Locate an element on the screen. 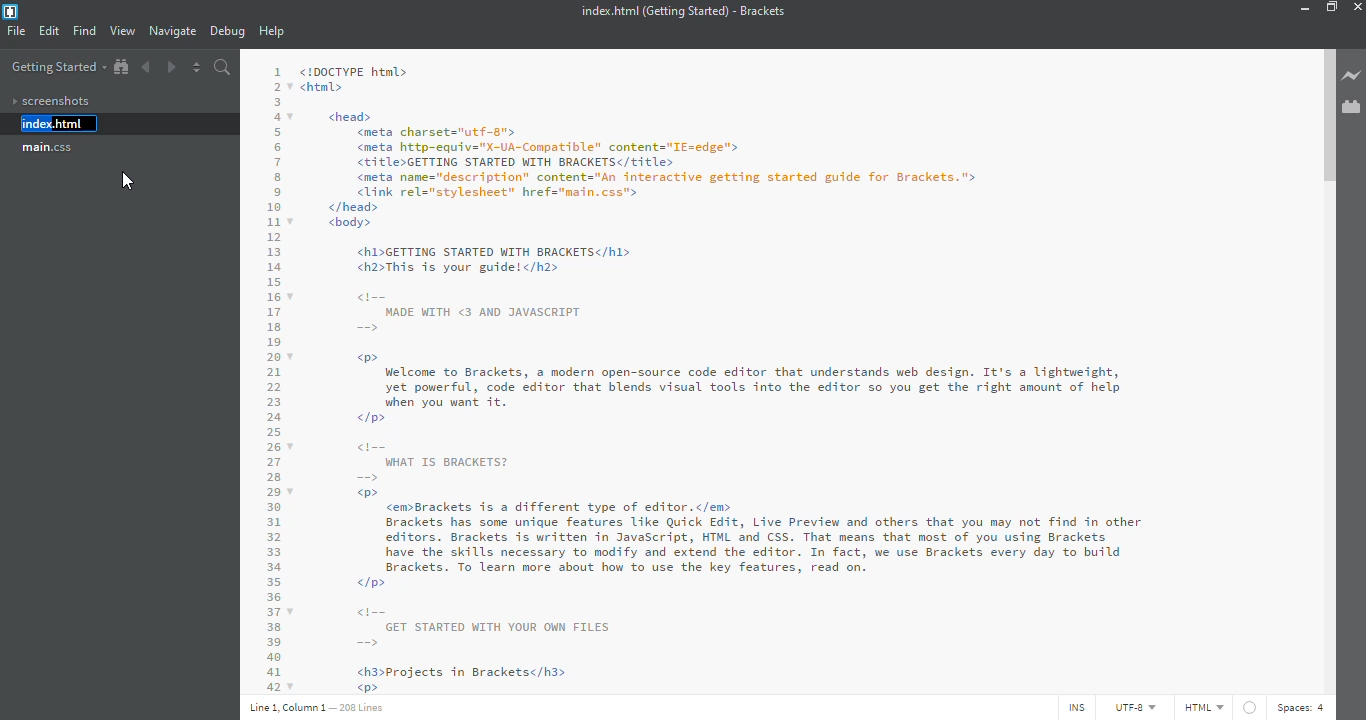 The height and width of the screenshot is (720, 1366). new.html (Getting Started) - Brackets is located at coordinates (679, 11).